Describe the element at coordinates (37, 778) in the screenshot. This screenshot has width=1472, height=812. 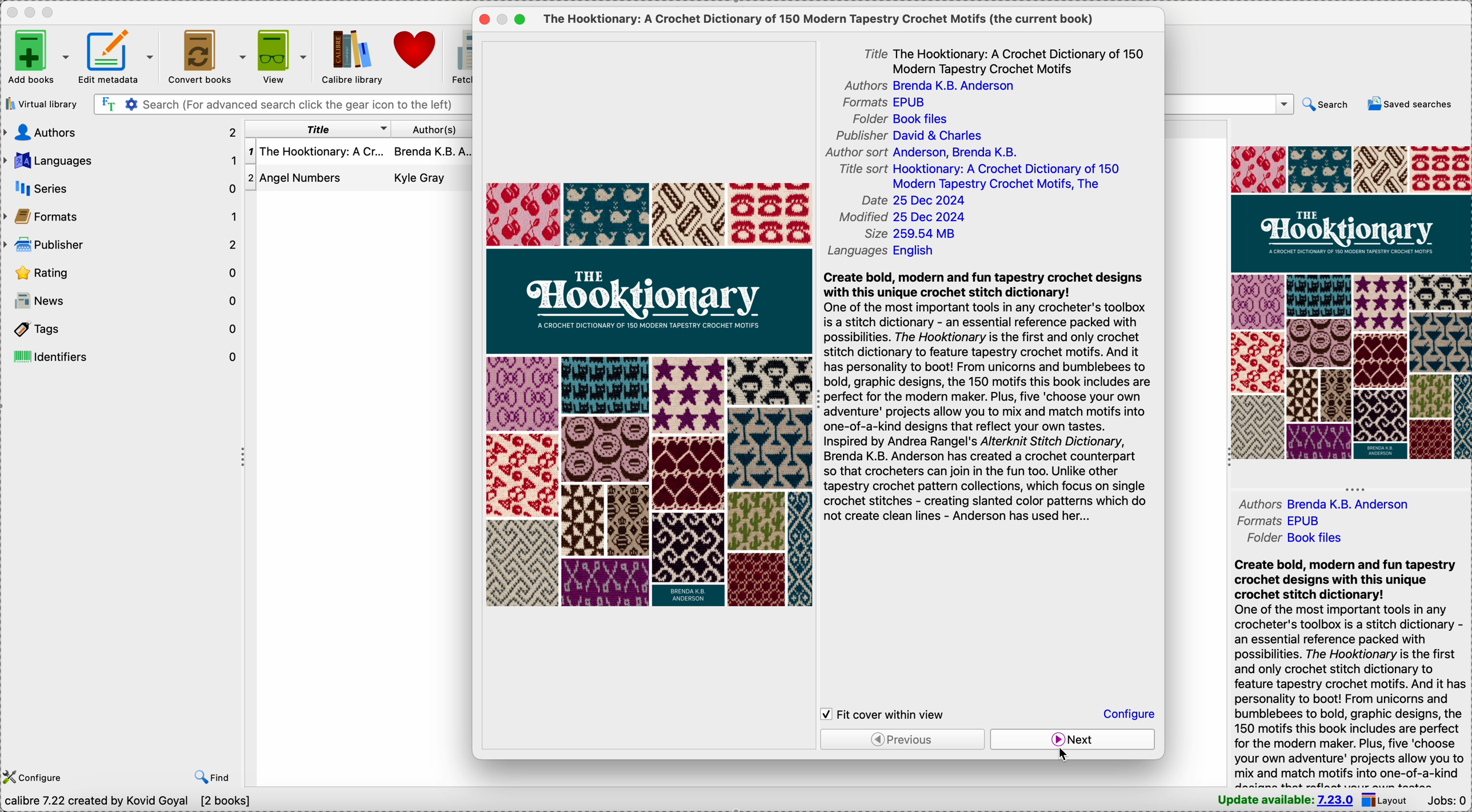
I see `configure` at that location.